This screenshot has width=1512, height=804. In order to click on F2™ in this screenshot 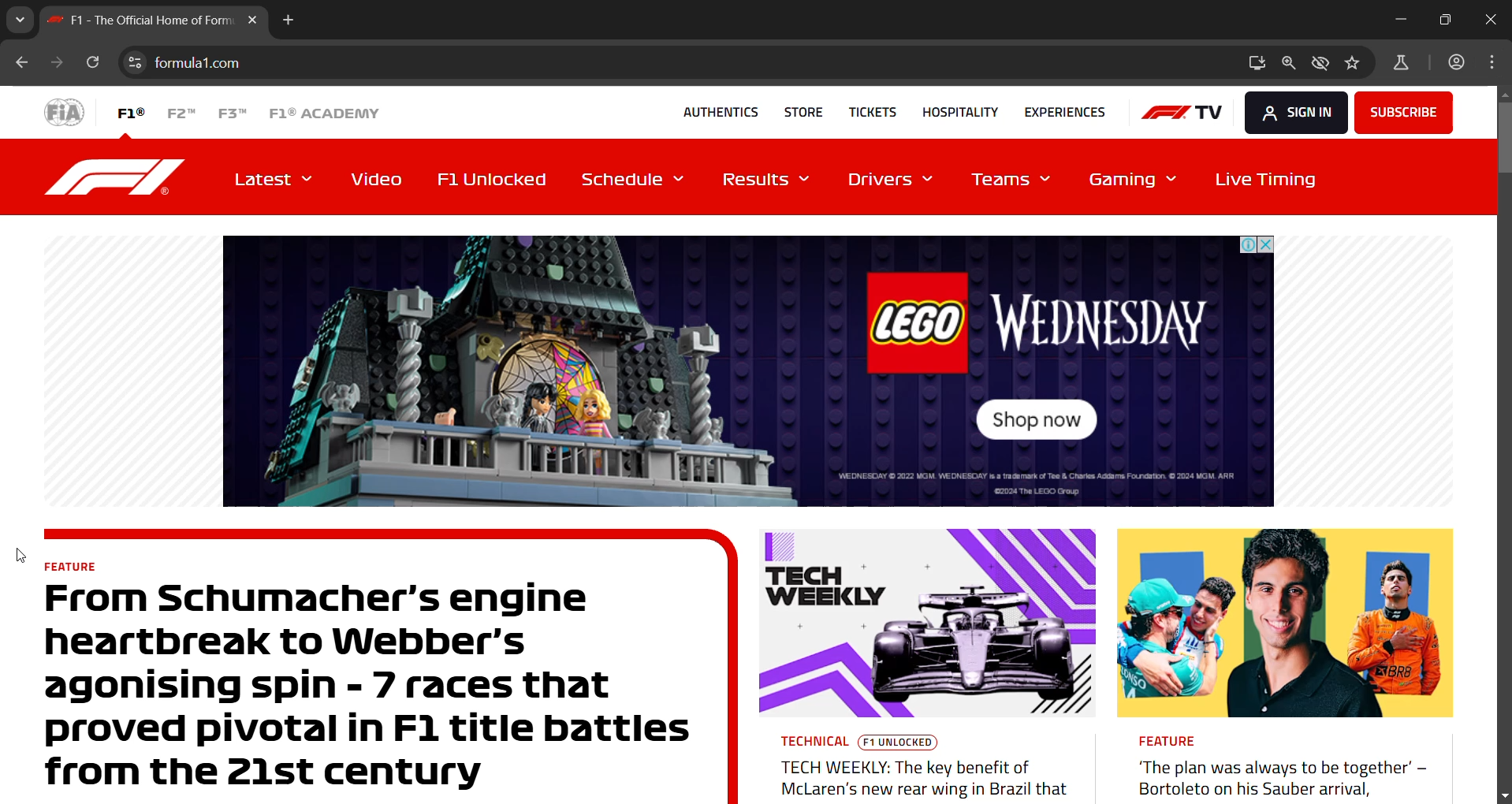, I will do `click(181, 112)`.